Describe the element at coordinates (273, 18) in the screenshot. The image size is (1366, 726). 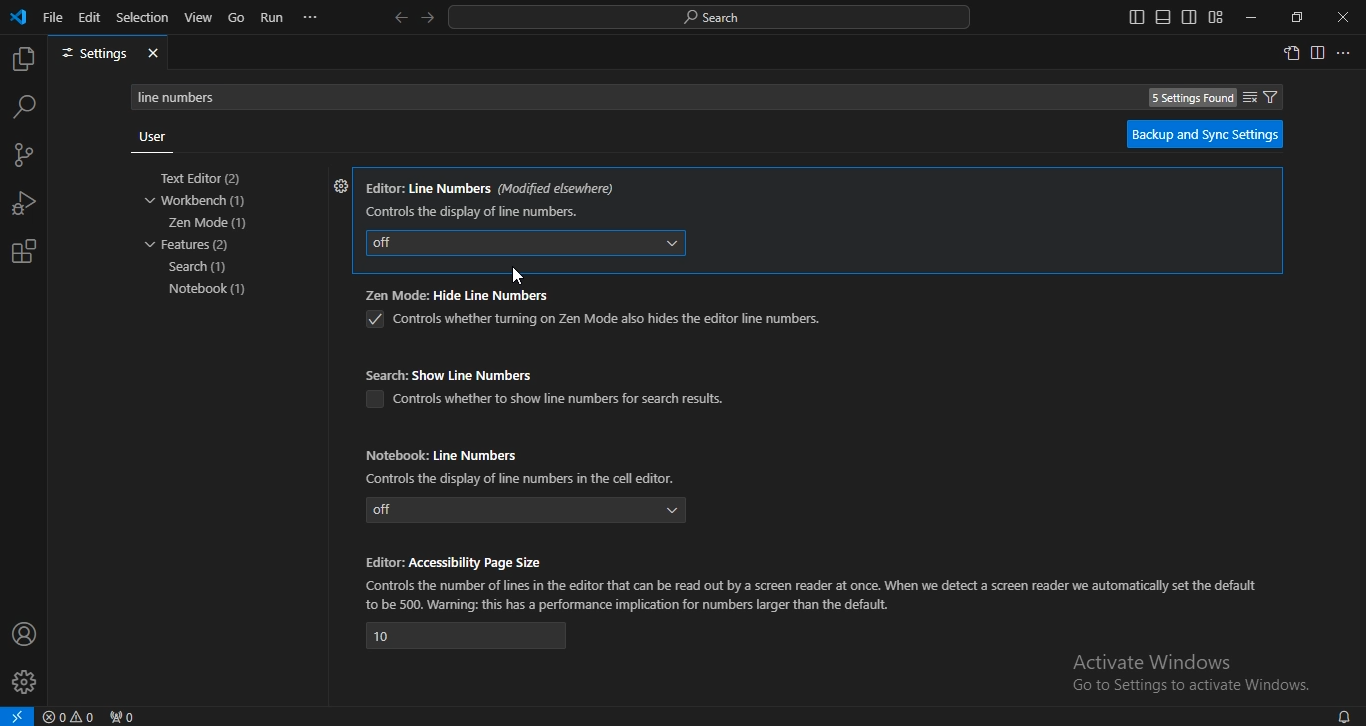
I see `run` at that location.